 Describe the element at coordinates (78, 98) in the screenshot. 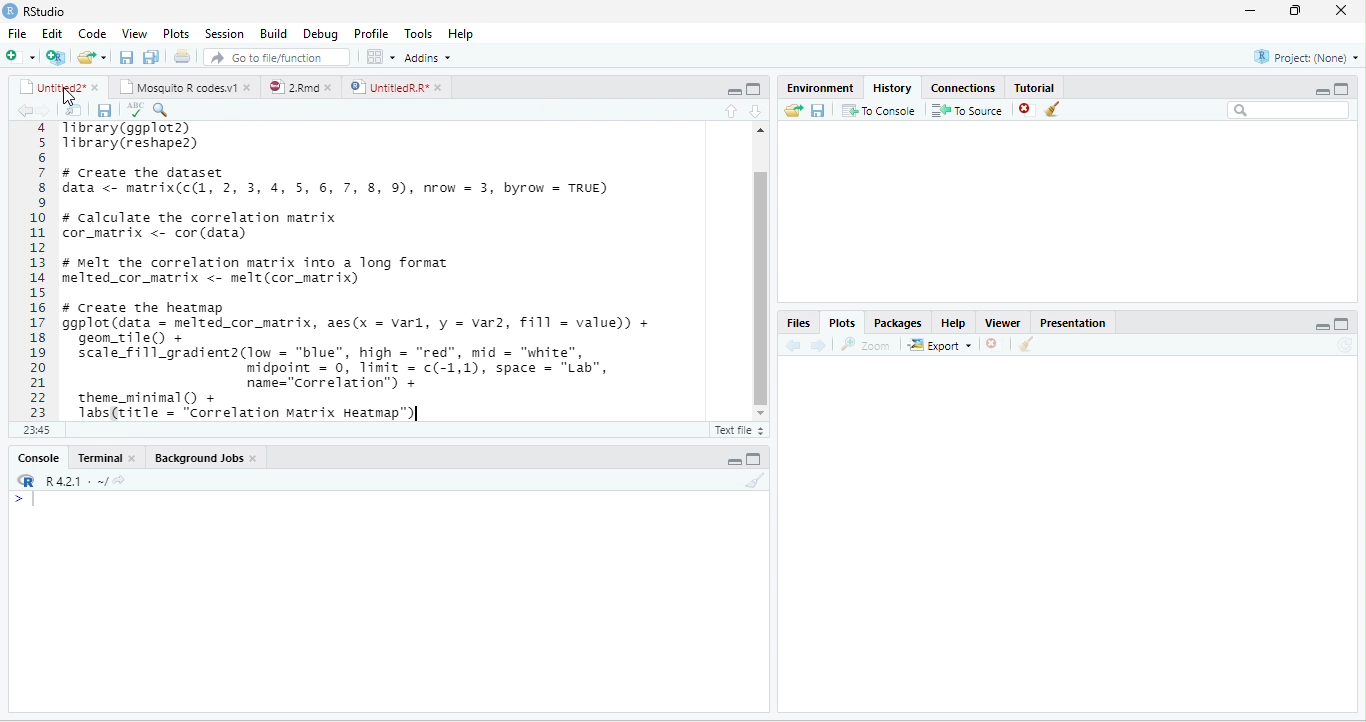

I see `cursor` at that location.